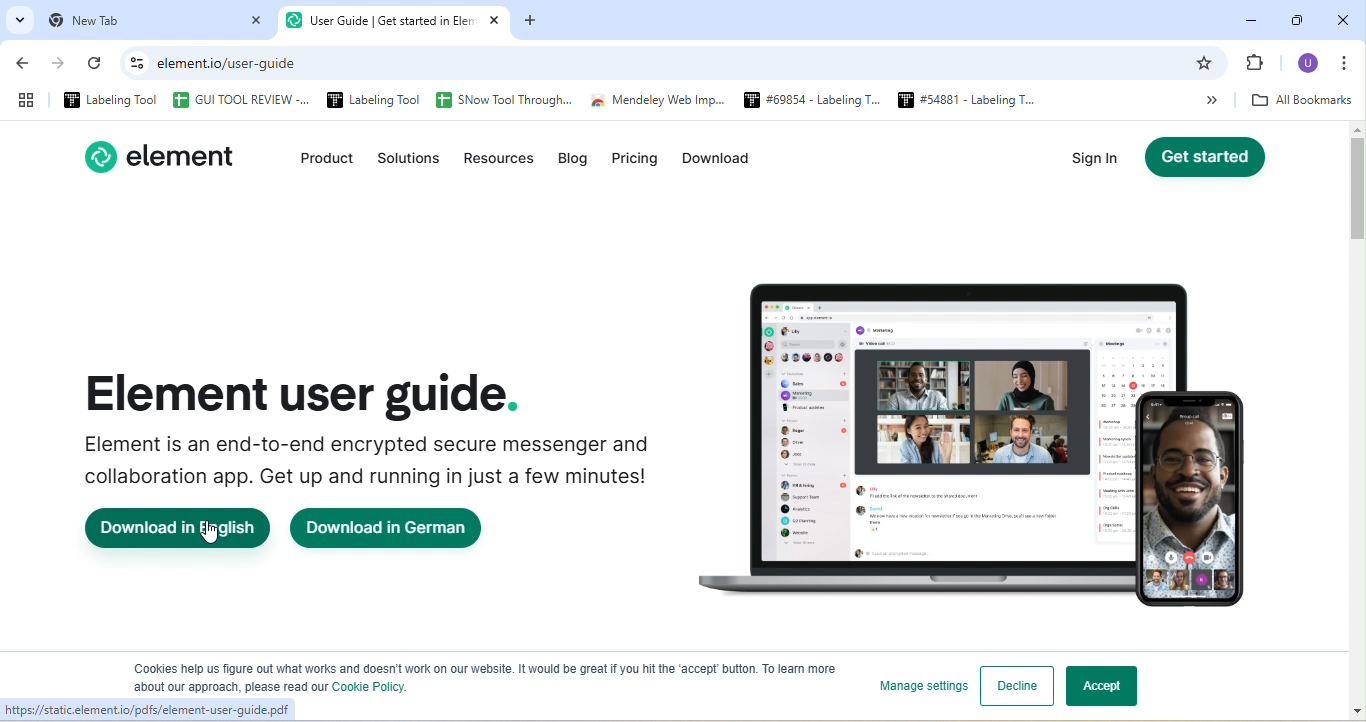  Describe the element at coordinates (1309, 64) in the screenshot. I see `u Profile` at that location.